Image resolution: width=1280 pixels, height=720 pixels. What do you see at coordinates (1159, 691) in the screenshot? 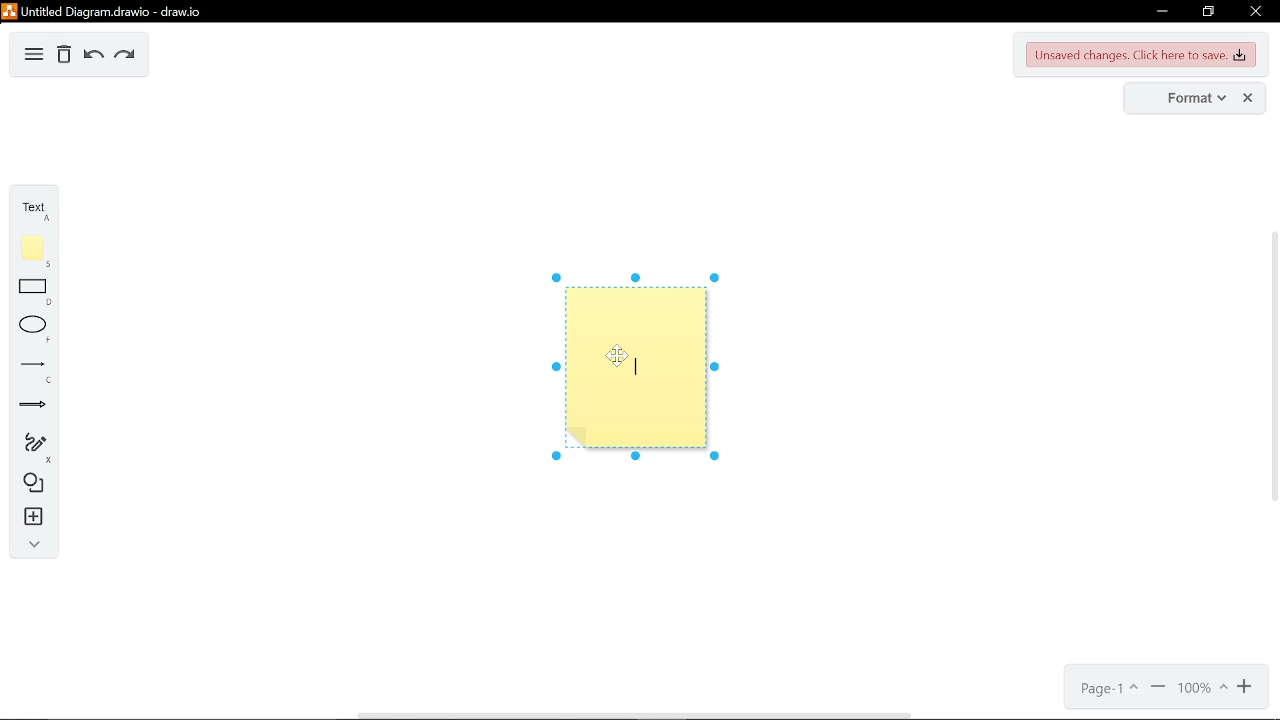
I see `zoom out` at bounding box center [1159, 691].